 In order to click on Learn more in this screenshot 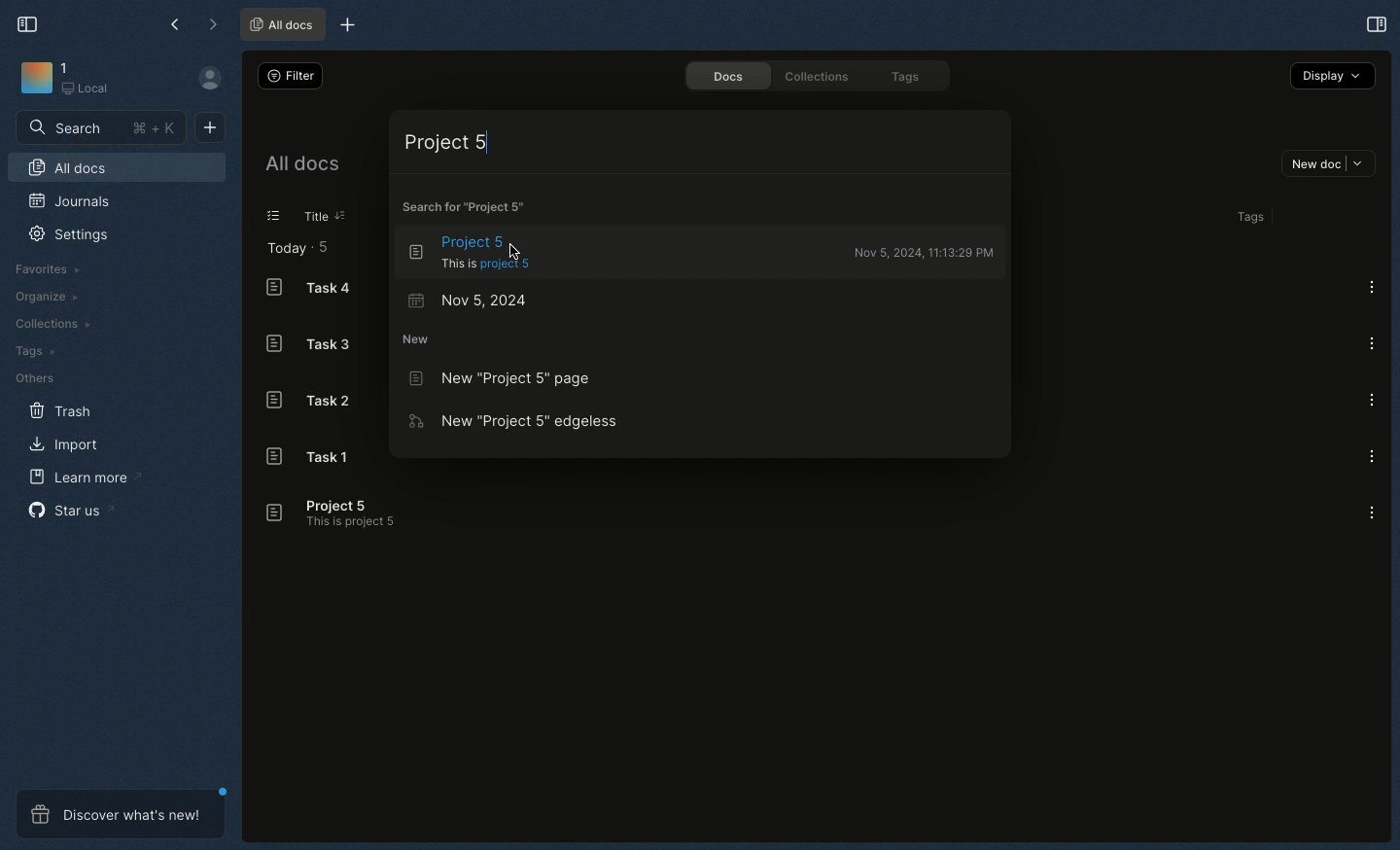, I will do `click(78, 475)`.